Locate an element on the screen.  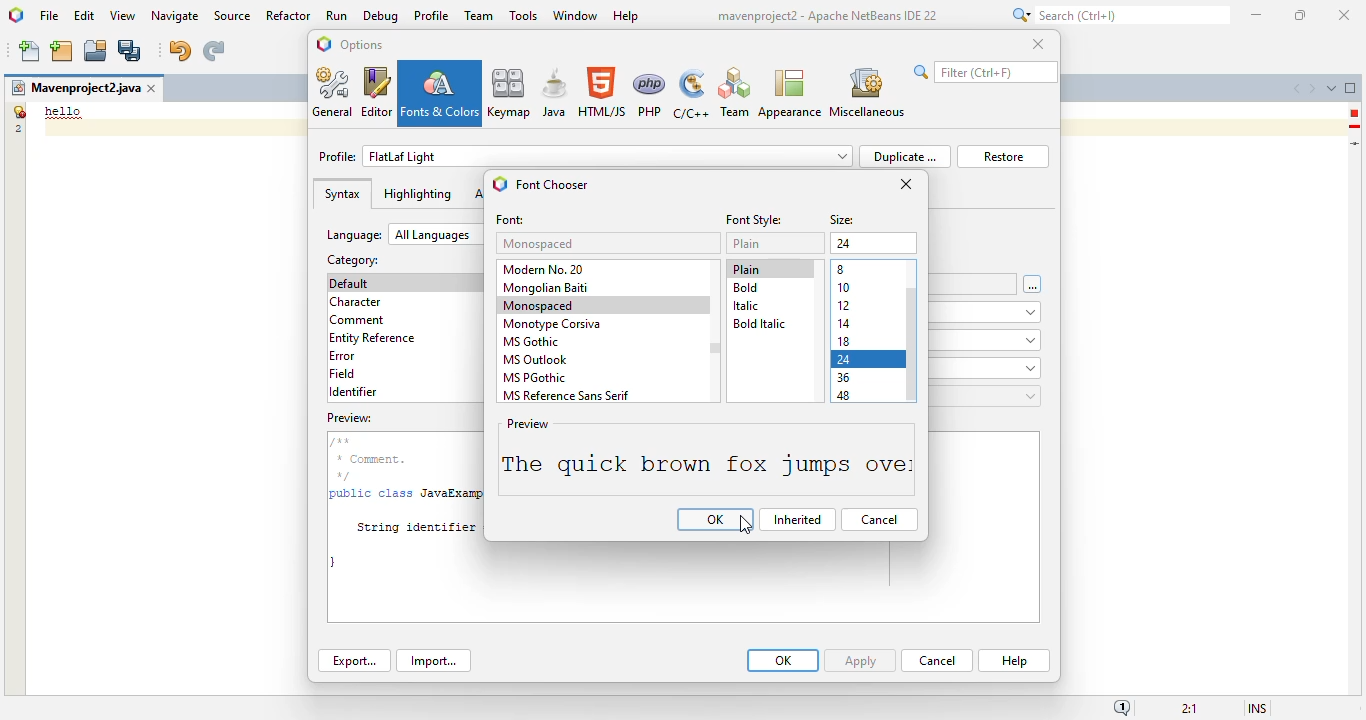
Team is located at coordinates (734, 93).